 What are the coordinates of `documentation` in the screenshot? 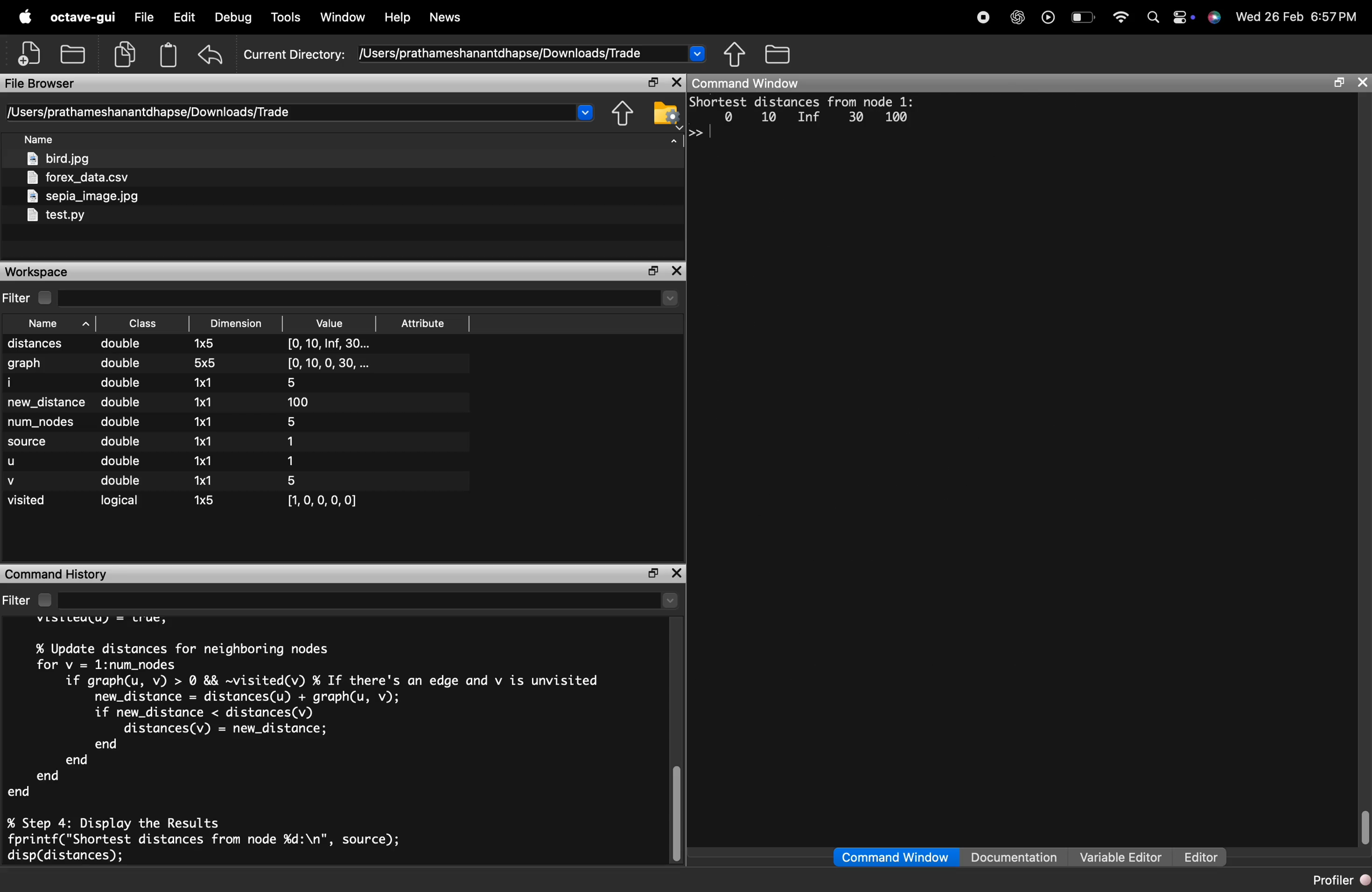 It's located at (1015, 857).